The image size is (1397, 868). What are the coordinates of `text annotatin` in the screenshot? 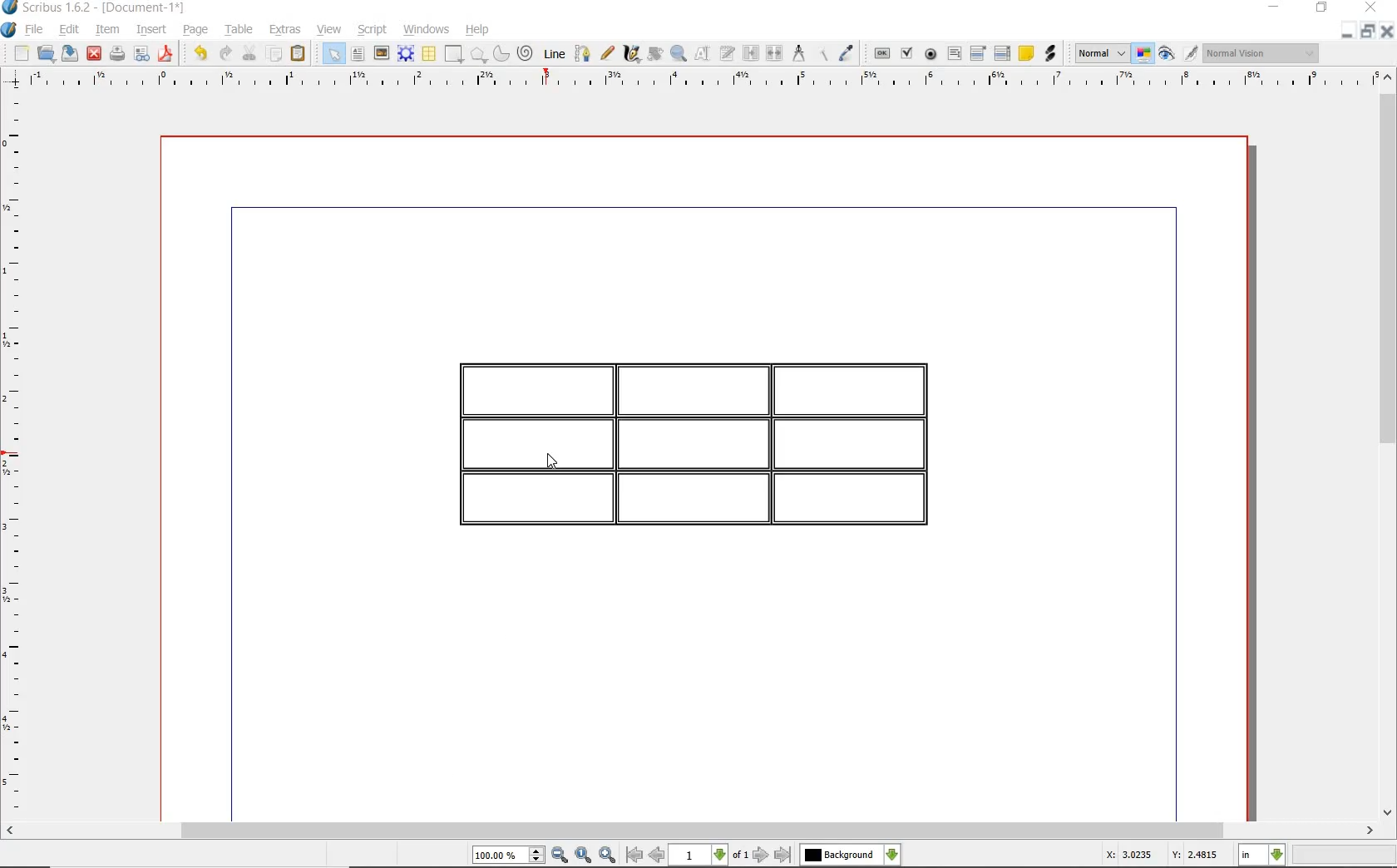 It's located at (1026, 52).